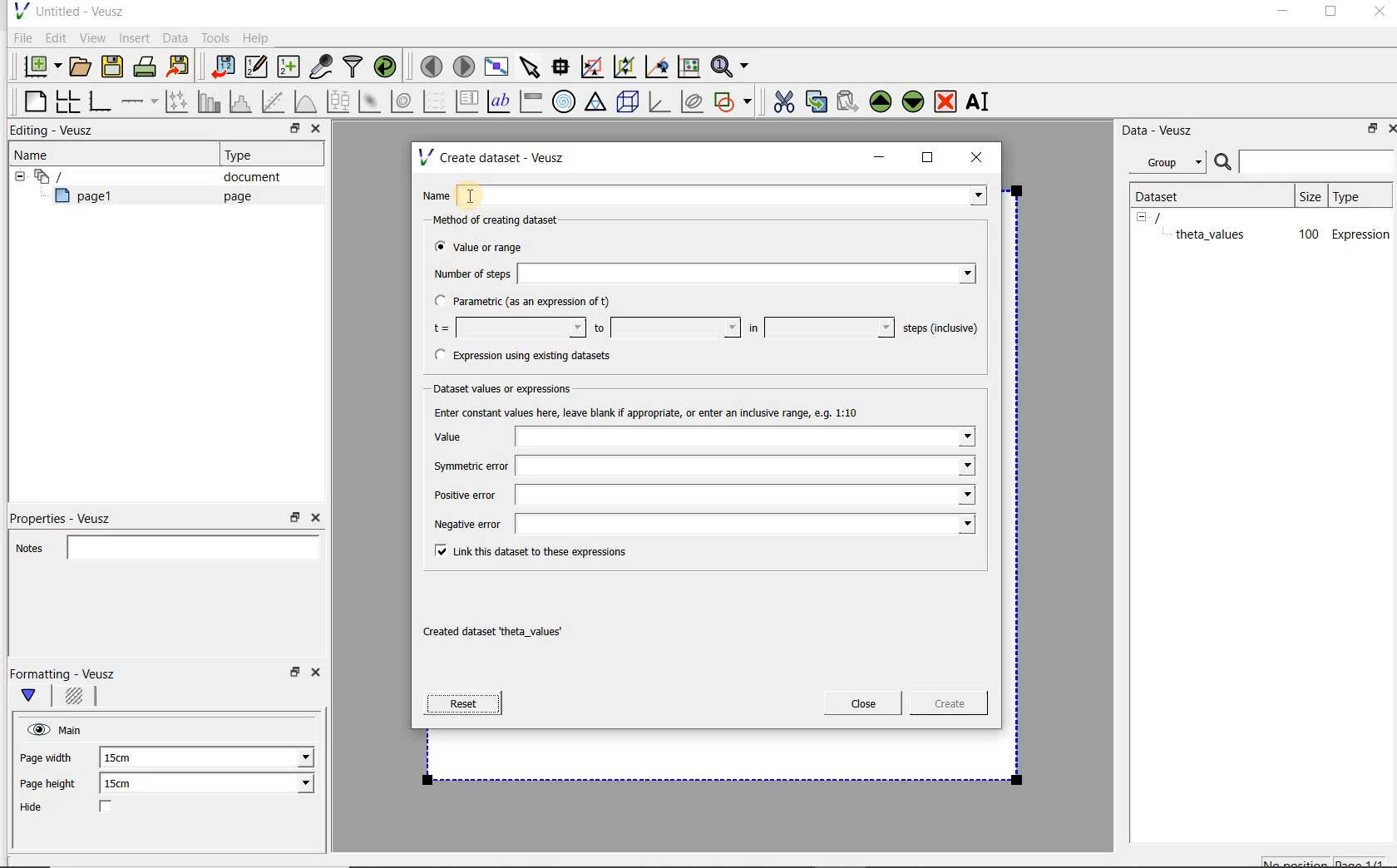 This screenshot has width=1397, height=868. I want to click on Data - Veusz, so click(1163, 130).